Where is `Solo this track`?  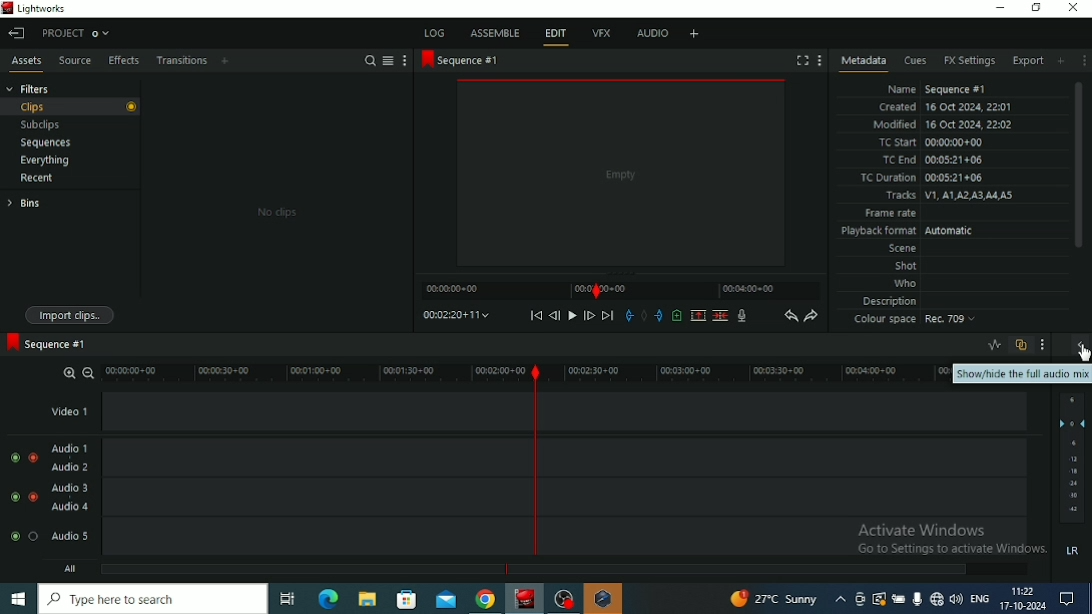
Solo this track is located at coordinates (32, 457).